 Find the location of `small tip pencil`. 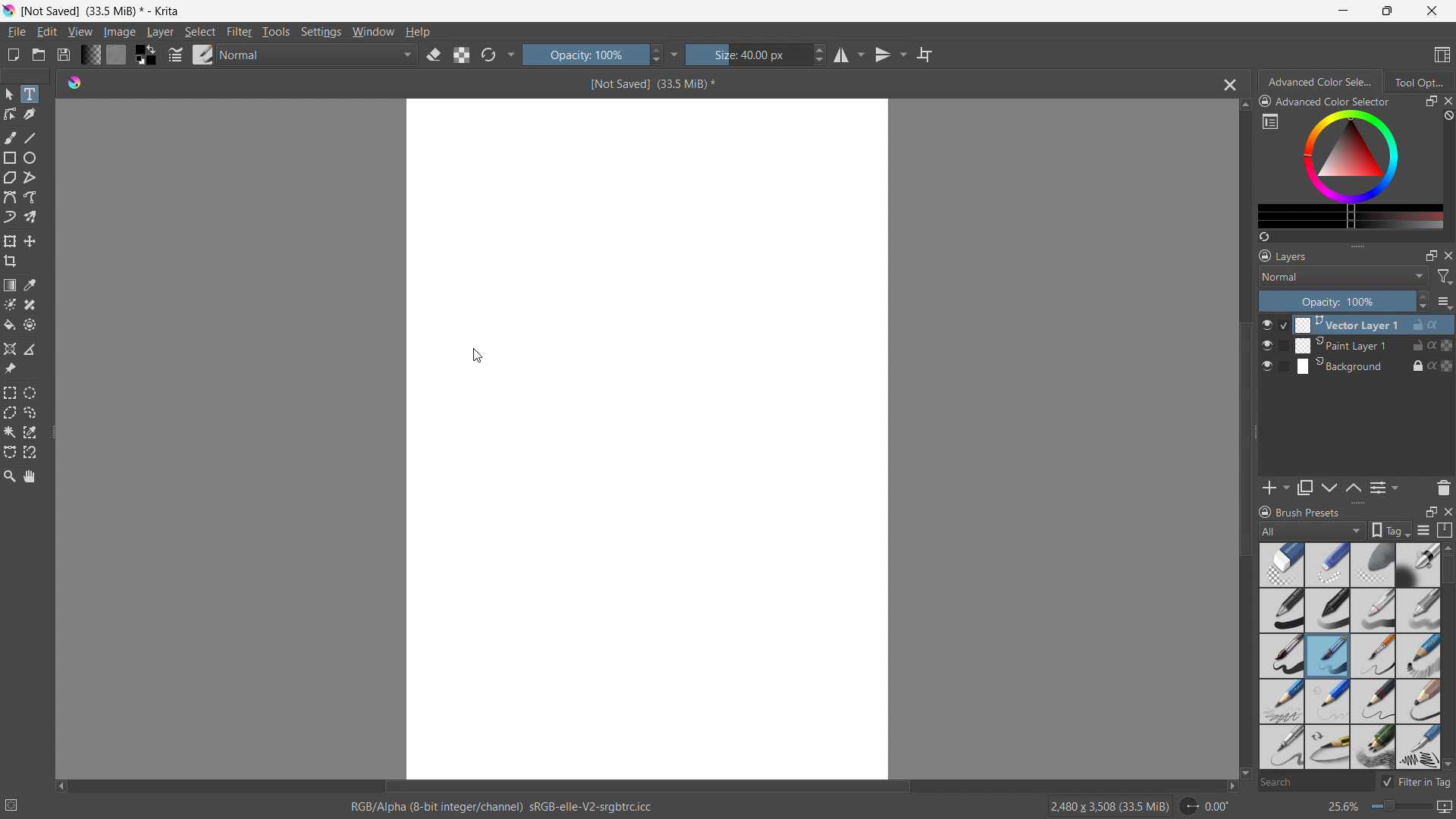

small tip pencil is located at coordinates (1374, 701).